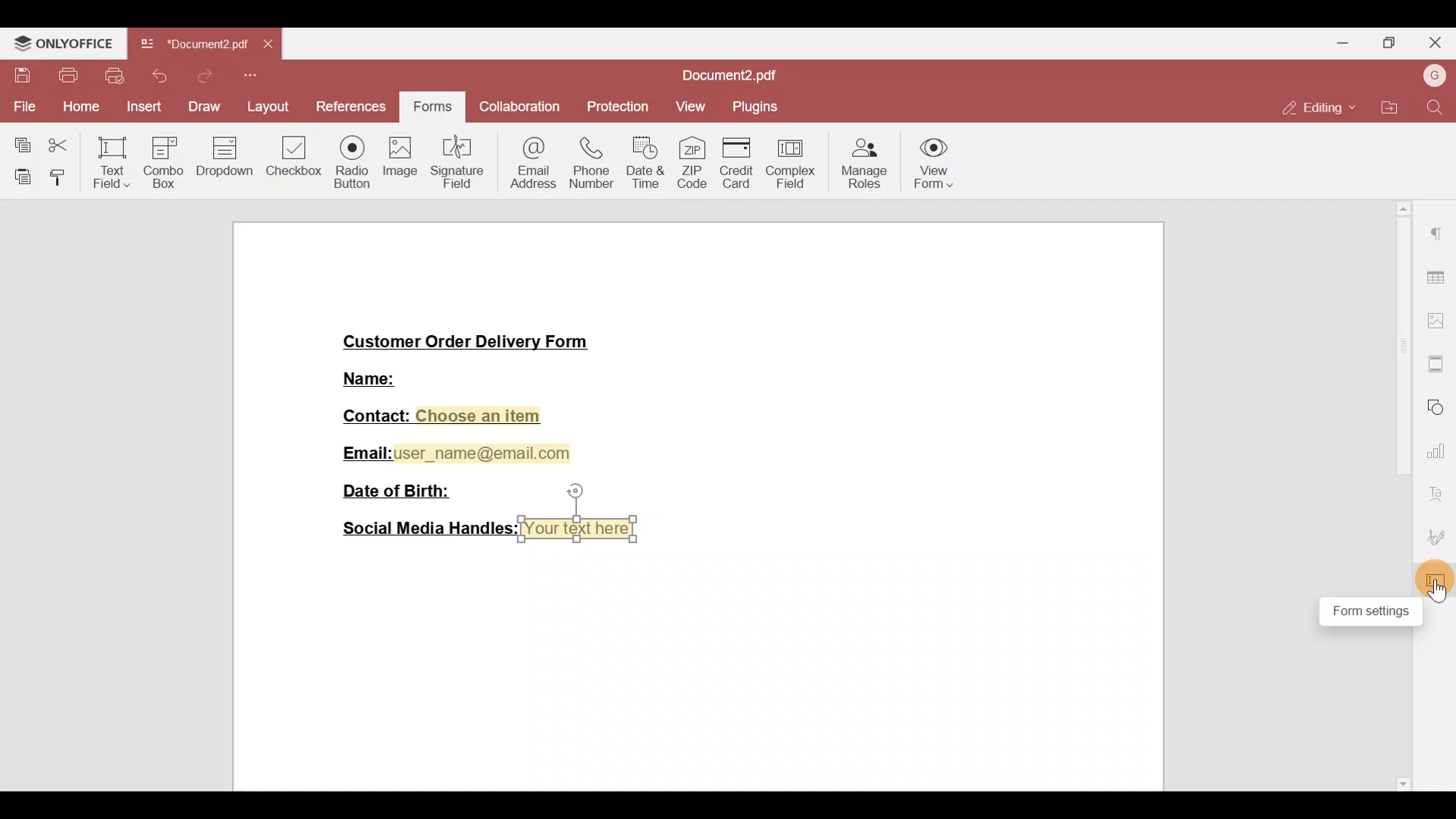 This screenshot has height=819, width=1456. What do you see at coordinates (795, 160) in the screenshot?
I see `Complex field` at bounding box center [795, 160].